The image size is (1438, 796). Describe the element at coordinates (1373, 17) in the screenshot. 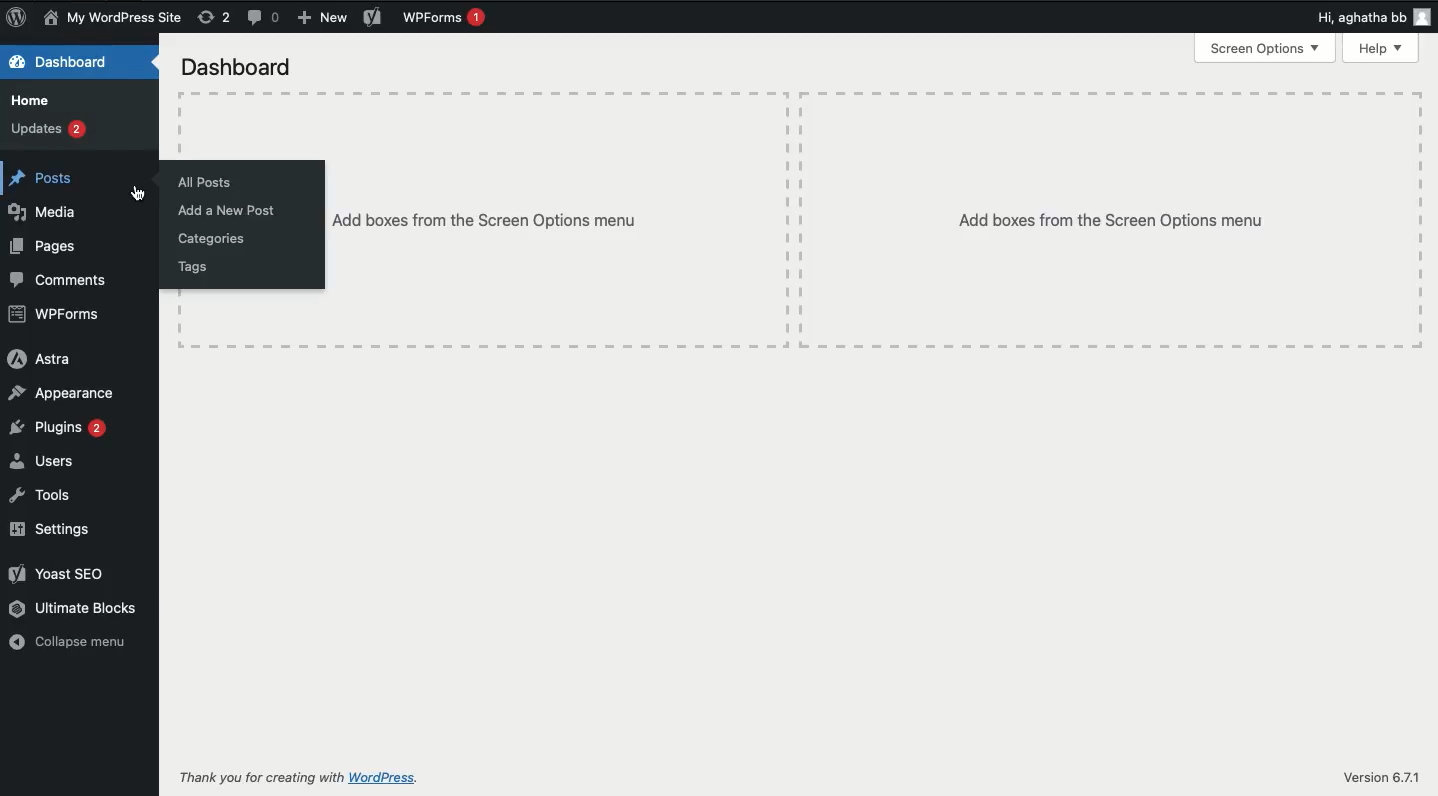

I see `Hi user` at that location.